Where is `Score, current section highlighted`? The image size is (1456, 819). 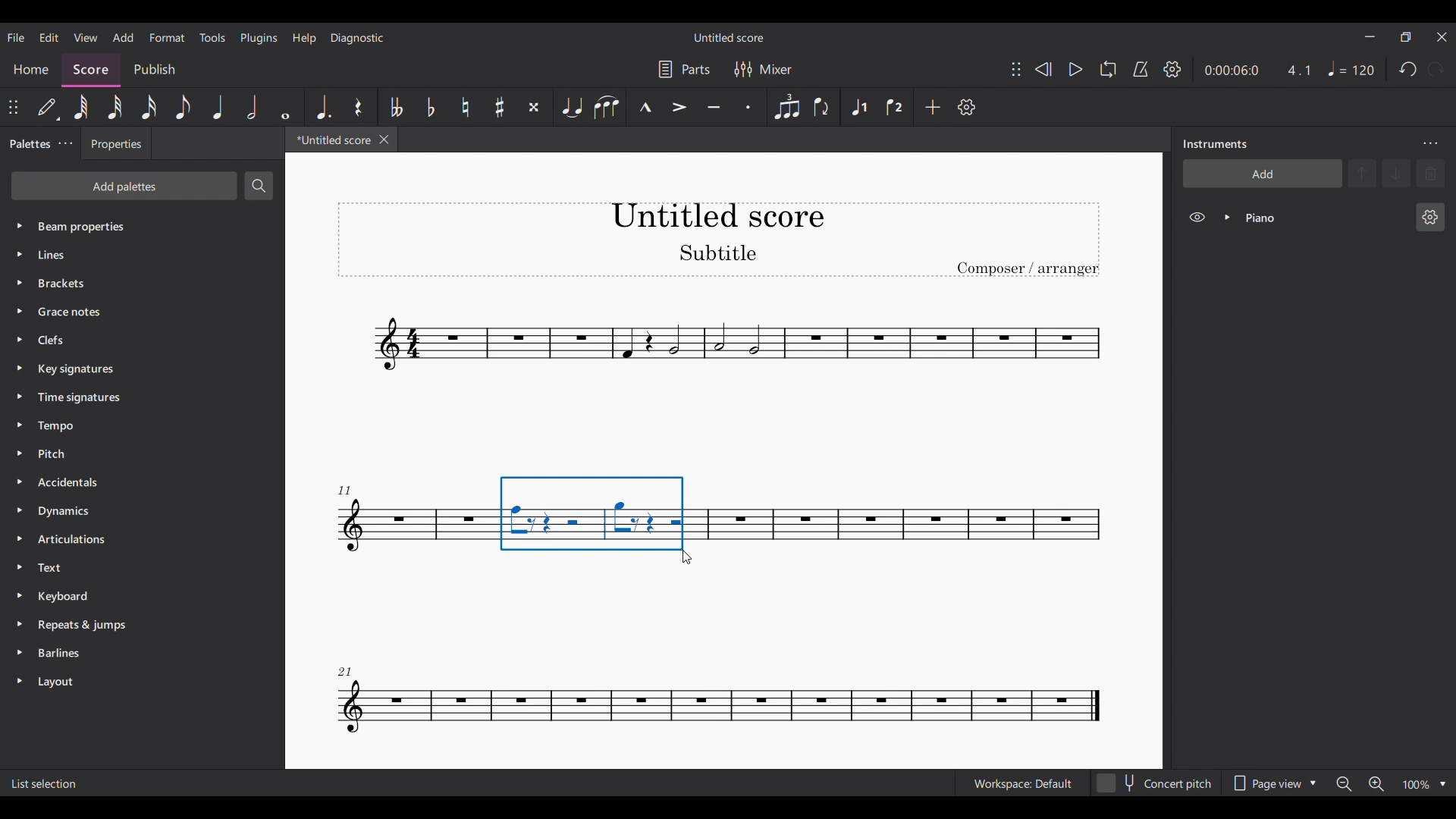
Score, current section highlighted is located at coordinates (91, 67).